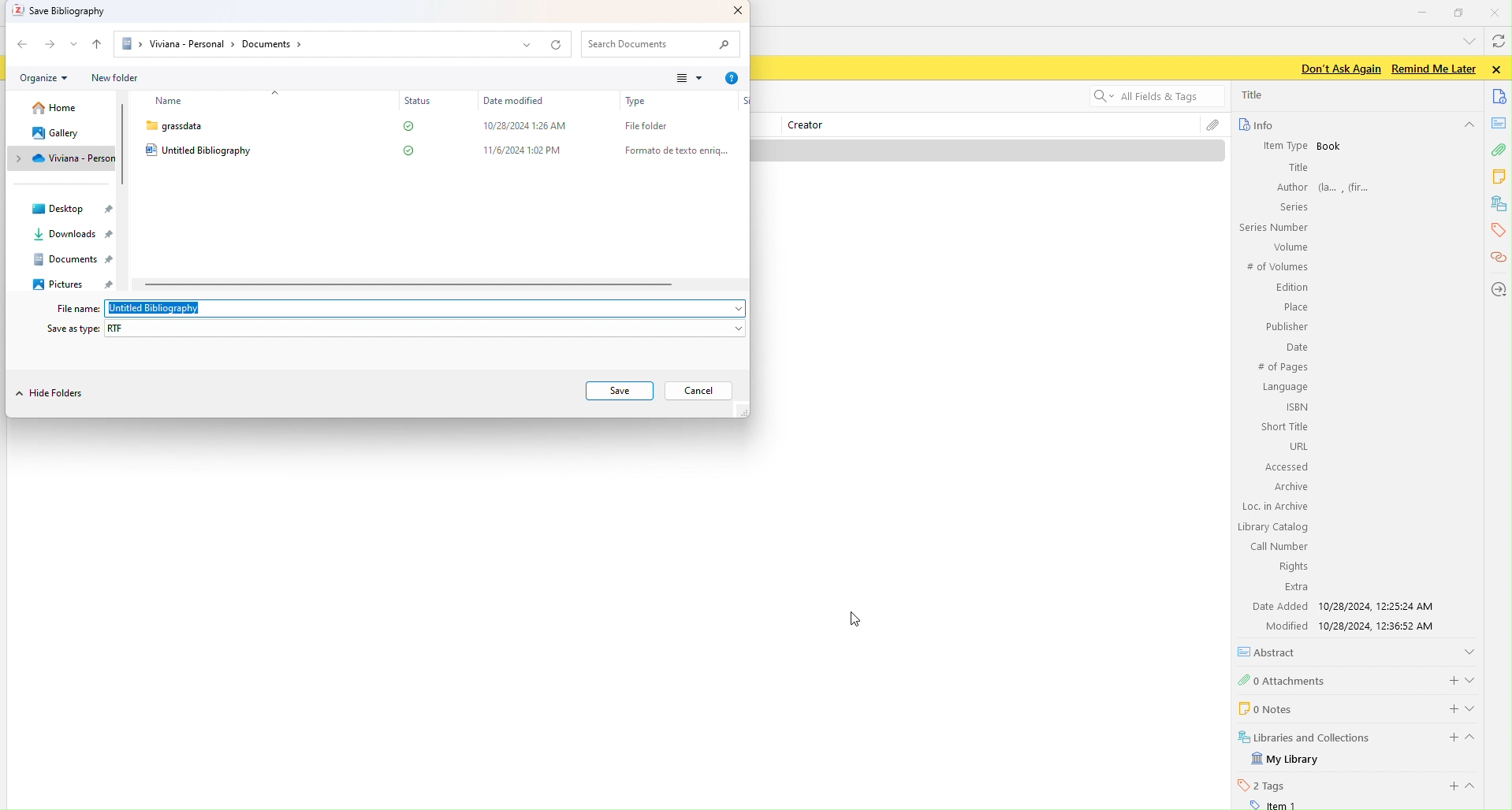 The width and height of the screenshot is (1512, 810). What do you see at coordinates (1473, 678) in the screenshot?
I see `show` at bounding box center [1473, 678].